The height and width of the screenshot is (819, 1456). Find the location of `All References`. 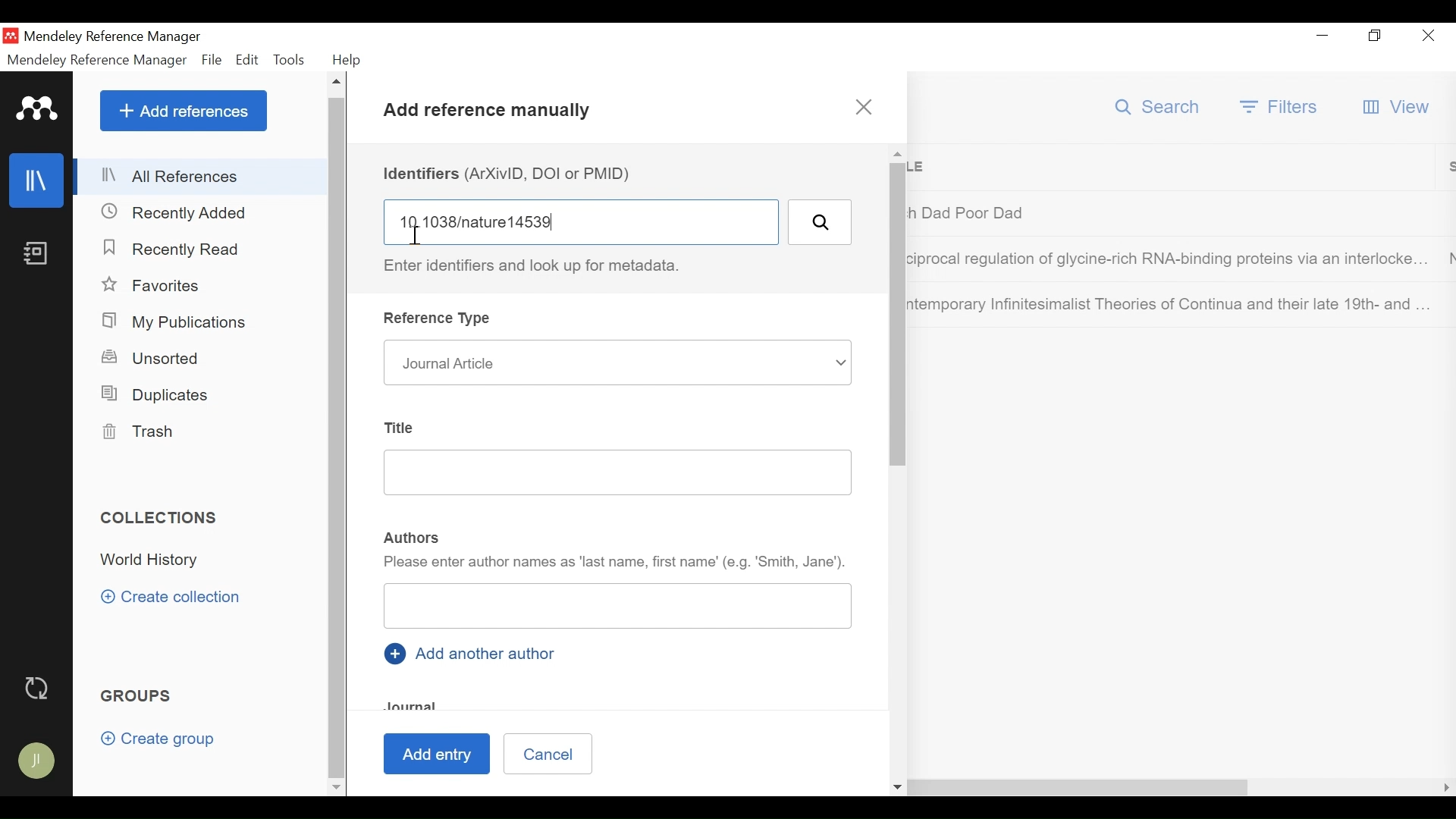

All References is located at coordinates (201, 177).